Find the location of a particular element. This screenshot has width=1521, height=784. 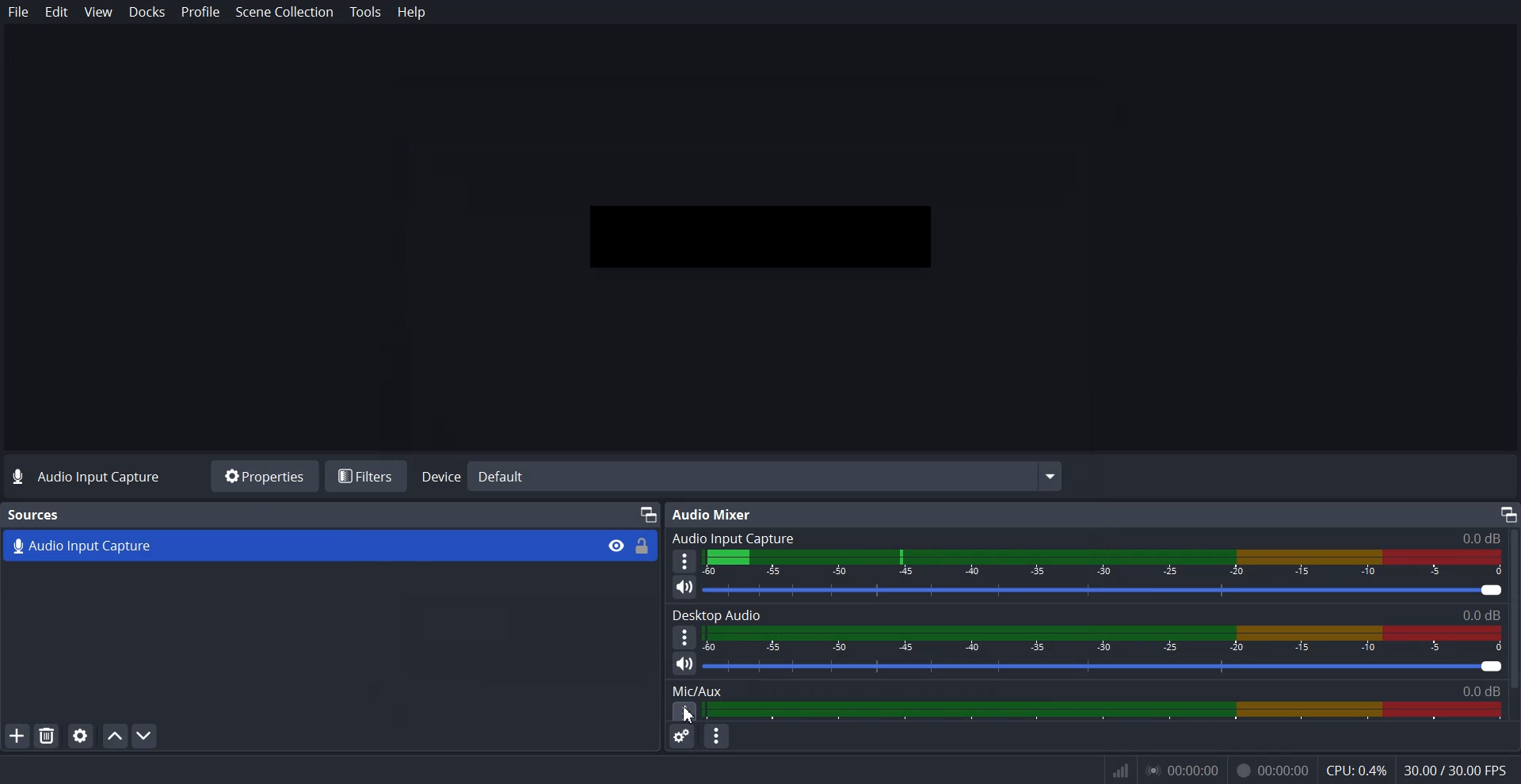

Volume Indicator is located at coordinates (1111, 563).